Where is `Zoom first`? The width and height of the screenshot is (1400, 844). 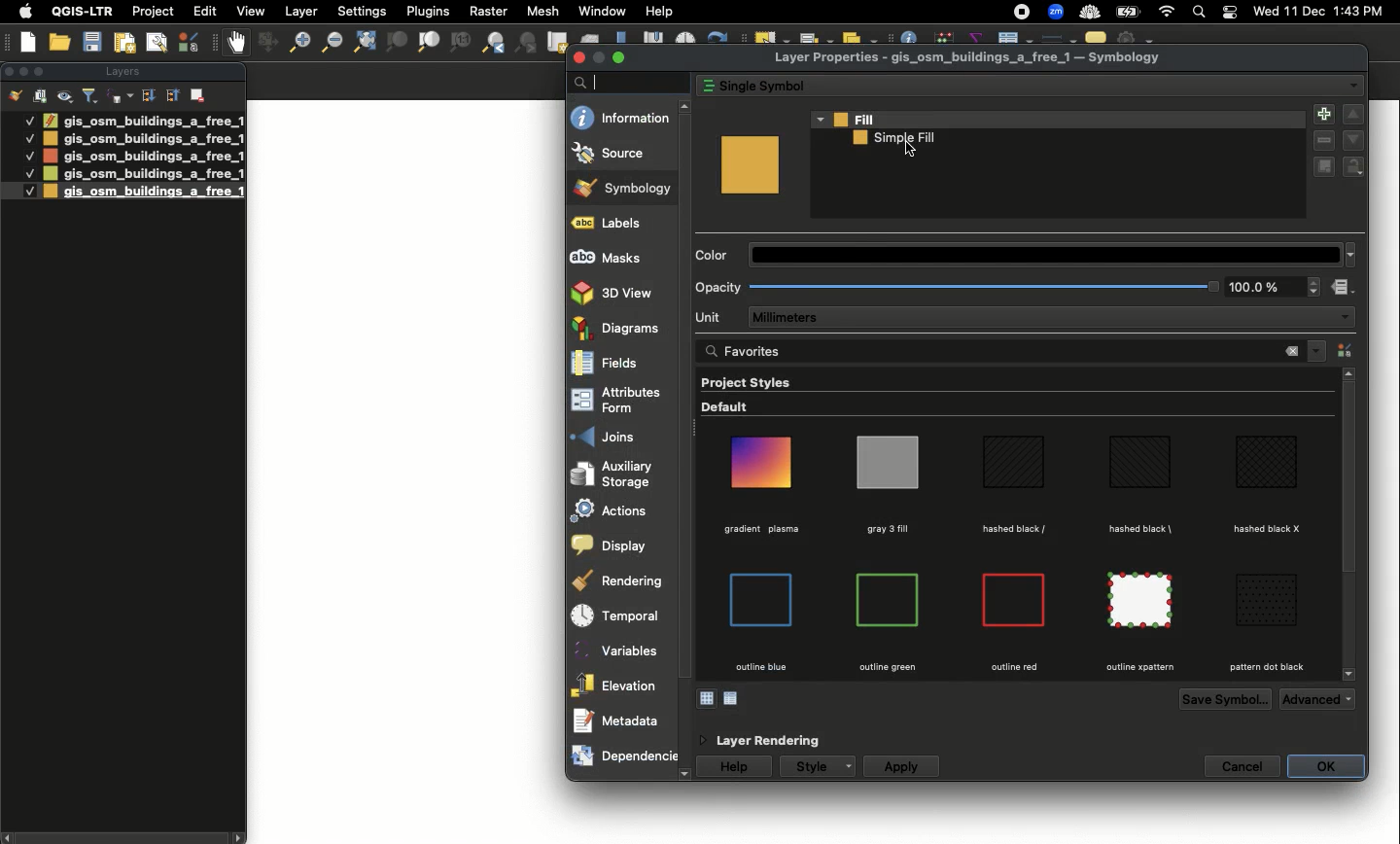
Zoom first is located at coordinates (527, 44).